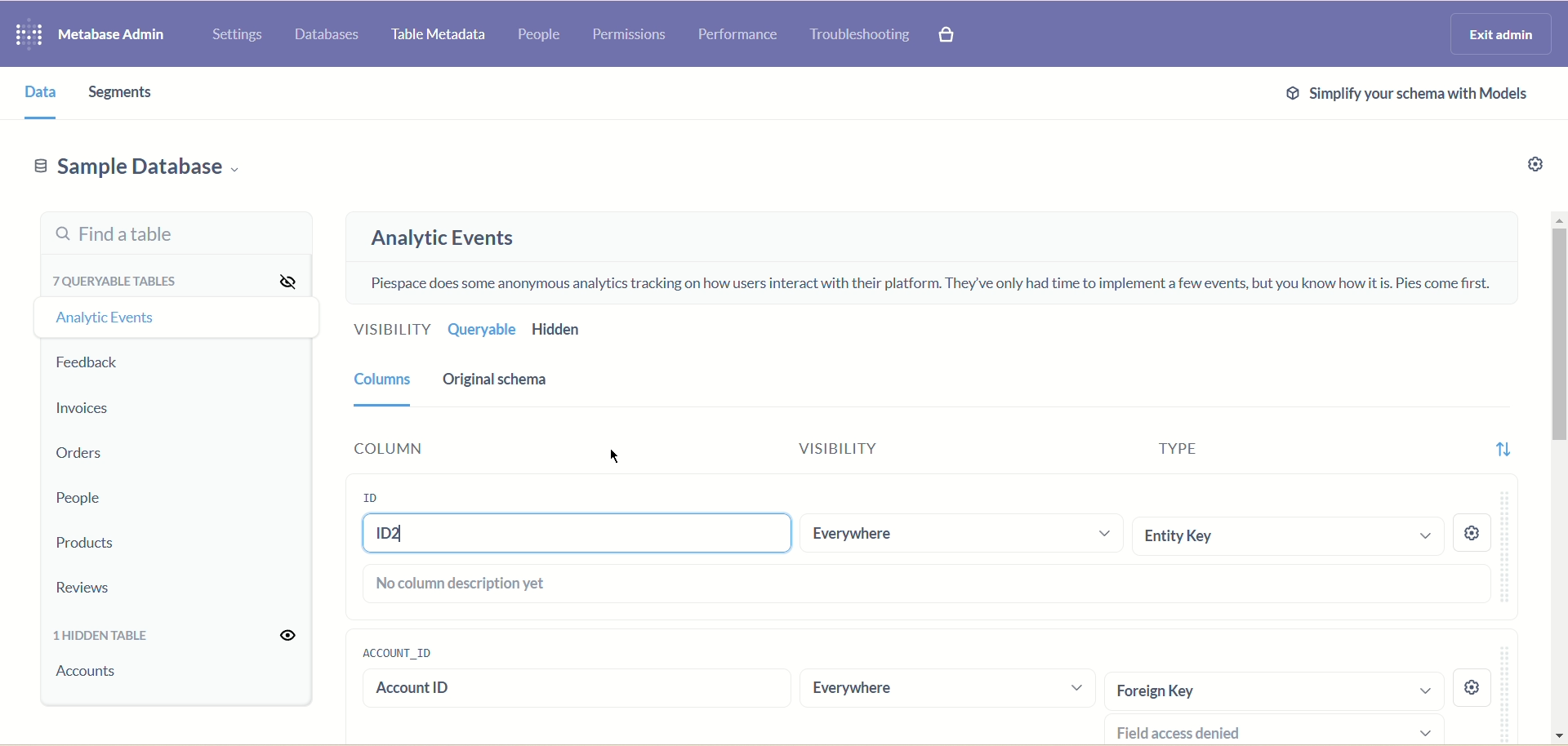 This screenshot has height=746, width=1568. I want to click on Feedback, so click(96, 365).